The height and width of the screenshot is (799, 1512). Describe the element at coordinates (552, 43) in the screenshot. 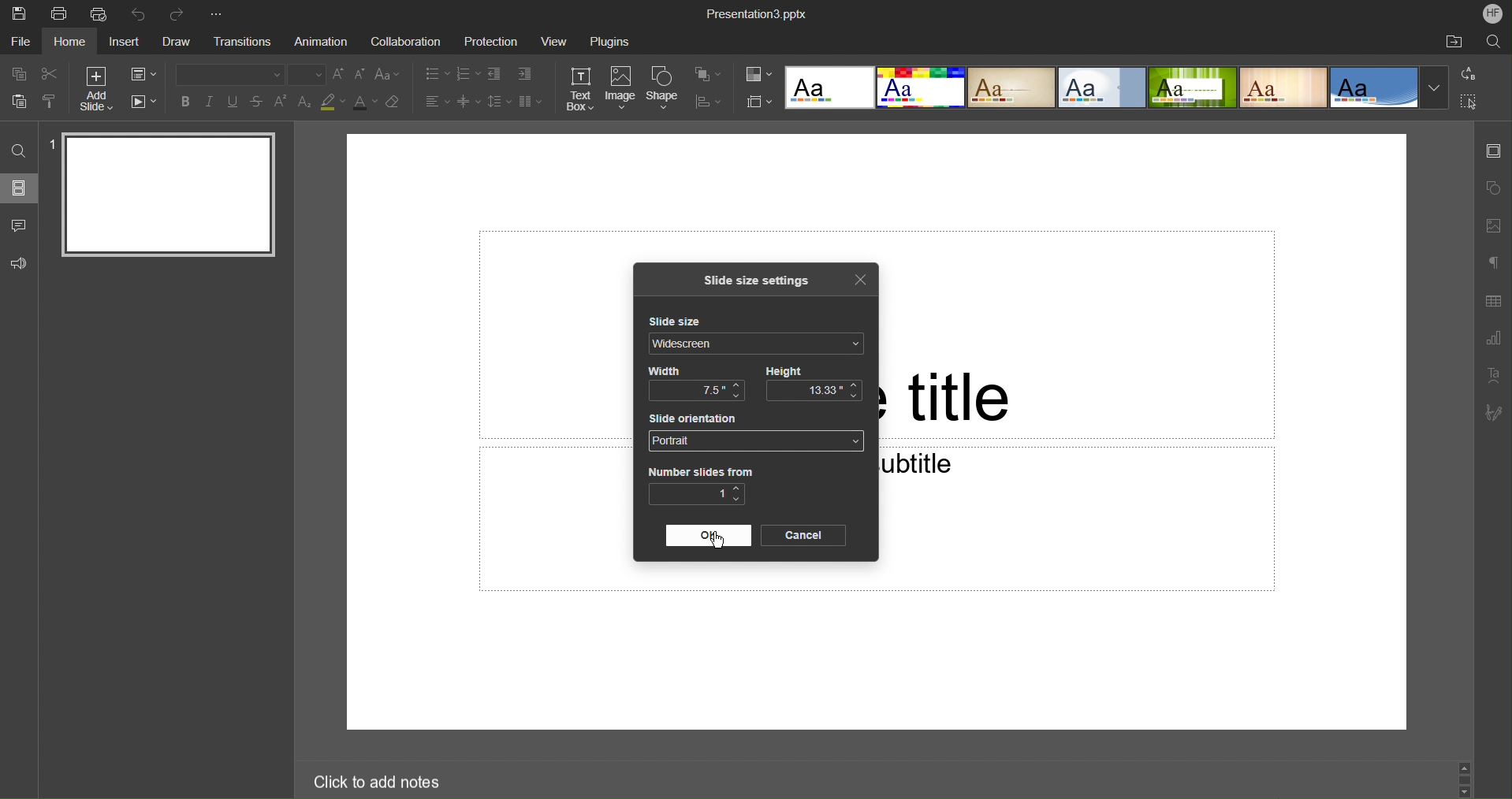

I see `View` at that location.